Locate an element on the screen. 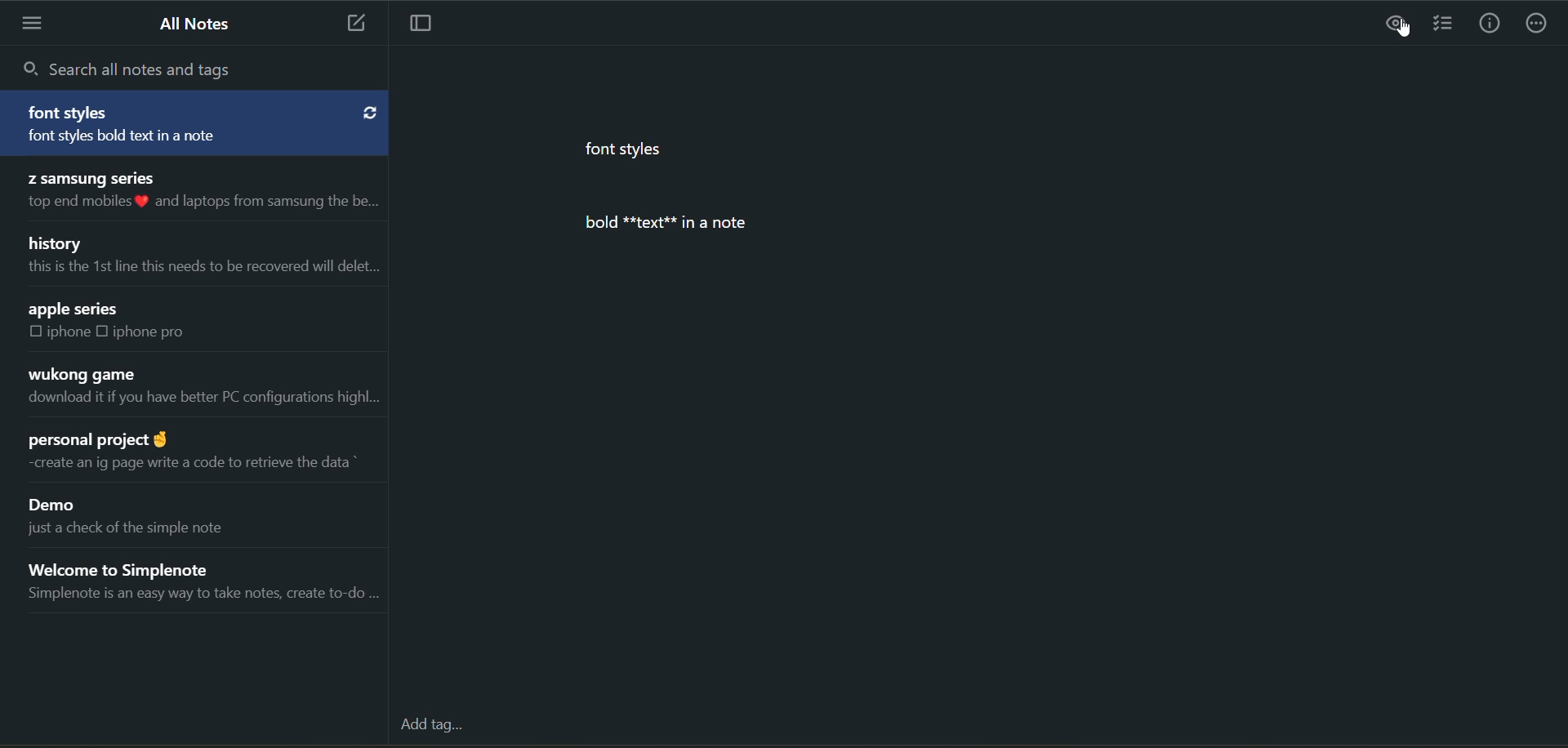 Image resolution: width=1568 pixels, height=748 pixels. bold **text** in a note is located at coordinates (675, 223).